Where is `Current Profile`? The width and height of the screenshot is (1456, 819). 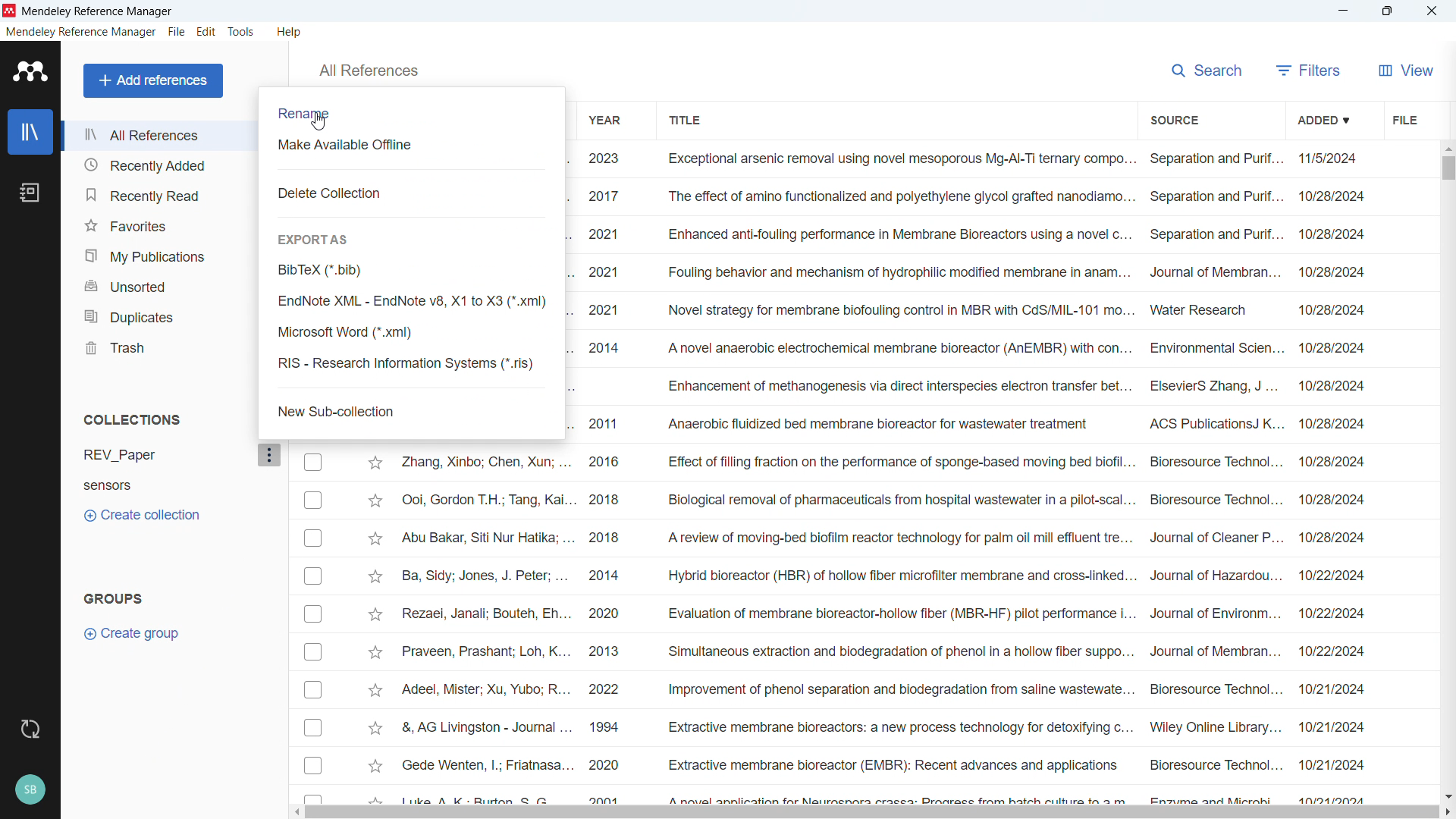
Current Profile is located at coordinates (31, 790).